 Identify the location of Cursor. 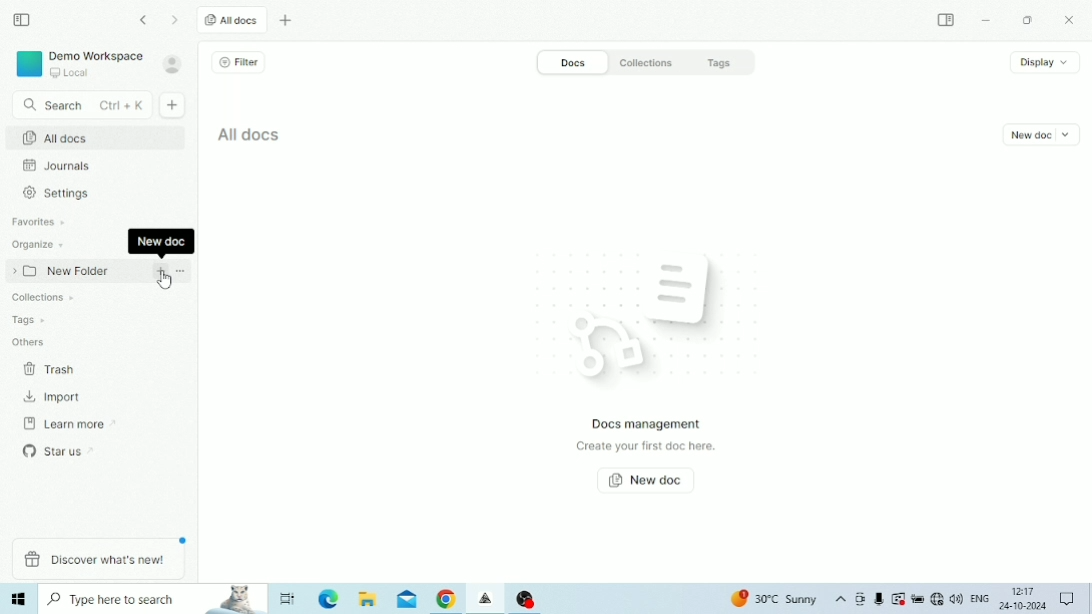
(107, 341).